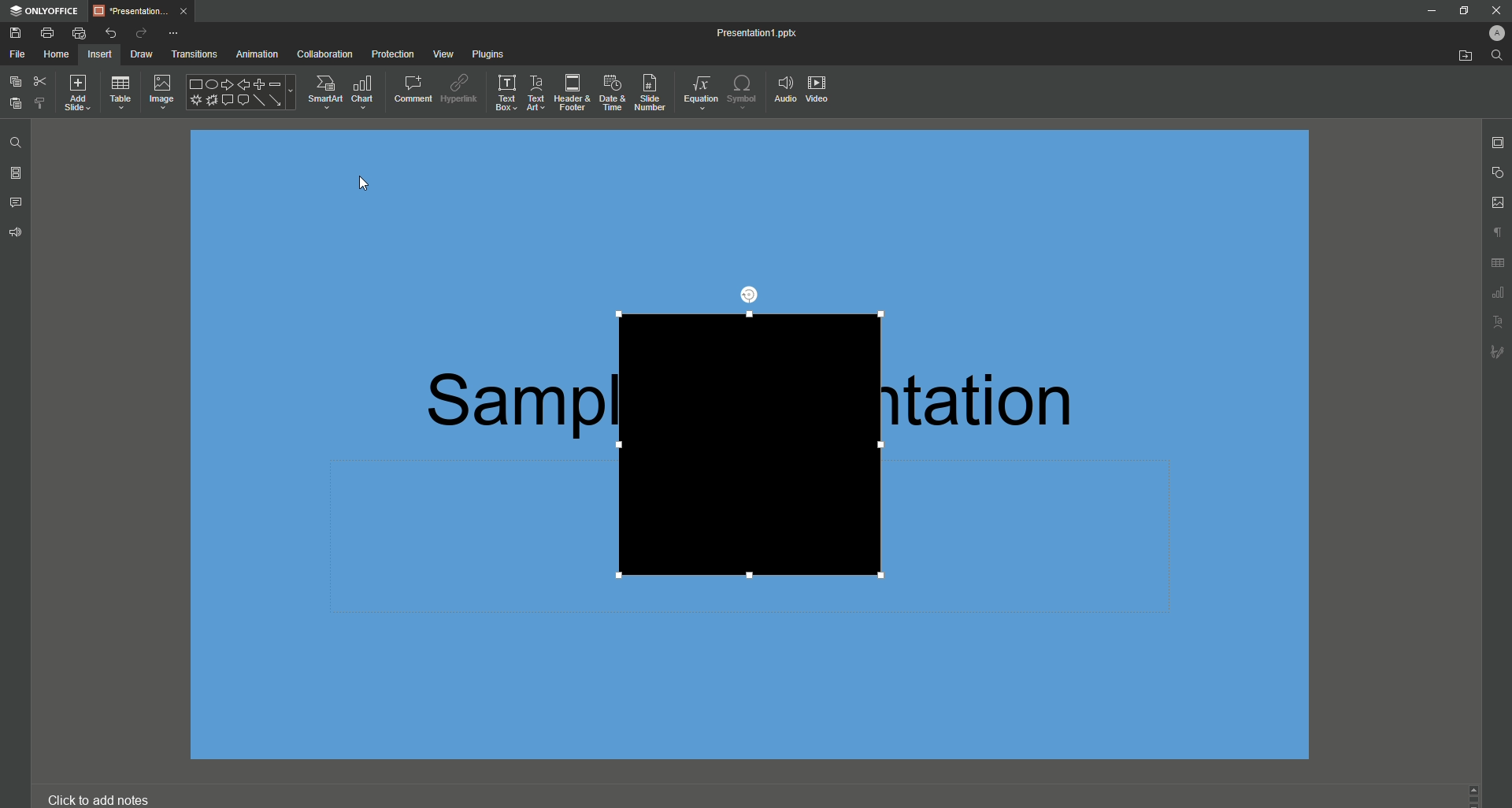 The width and height of the screenshot is (1512, 808). I want to click on Undo, so click(112, 33).